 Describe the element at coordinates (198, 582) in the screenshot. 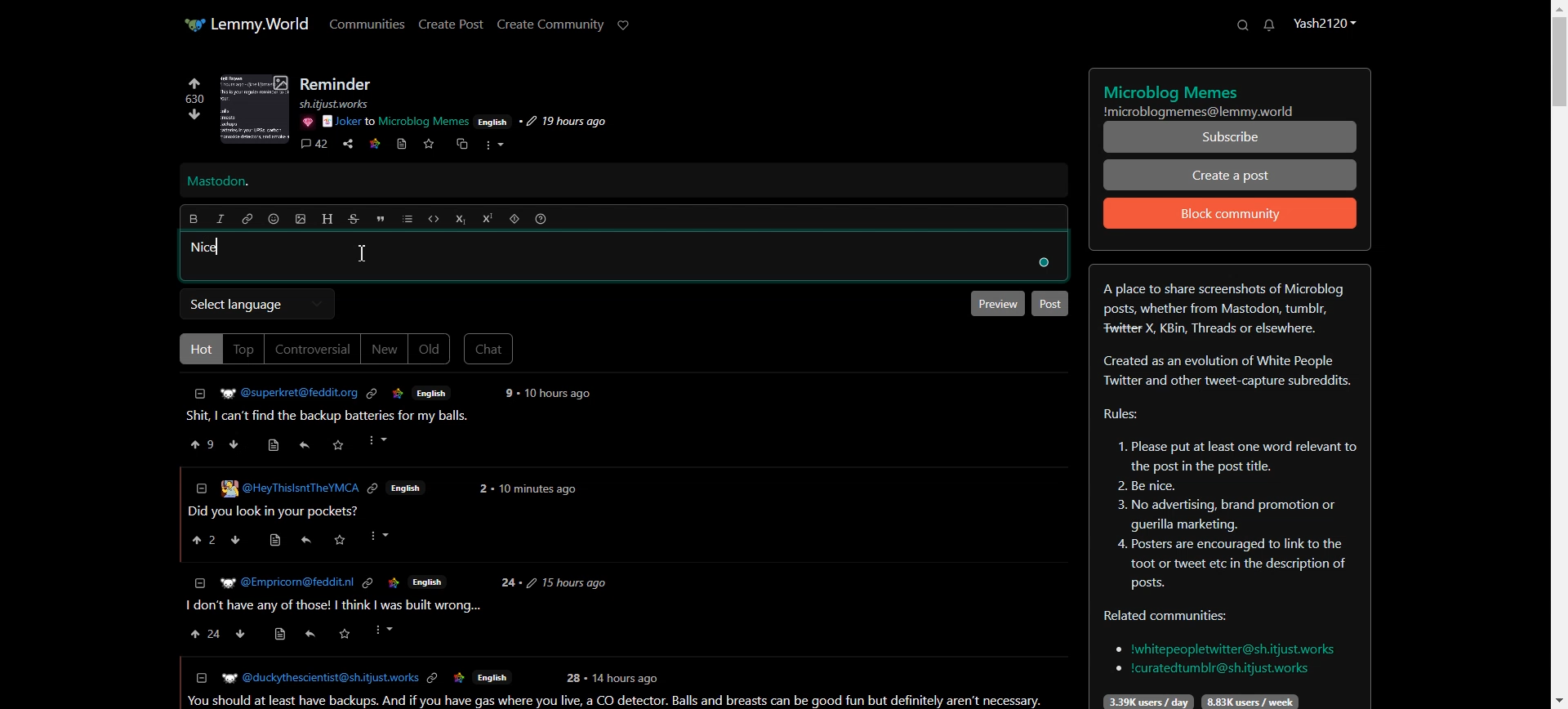

I see `=}` at that location.